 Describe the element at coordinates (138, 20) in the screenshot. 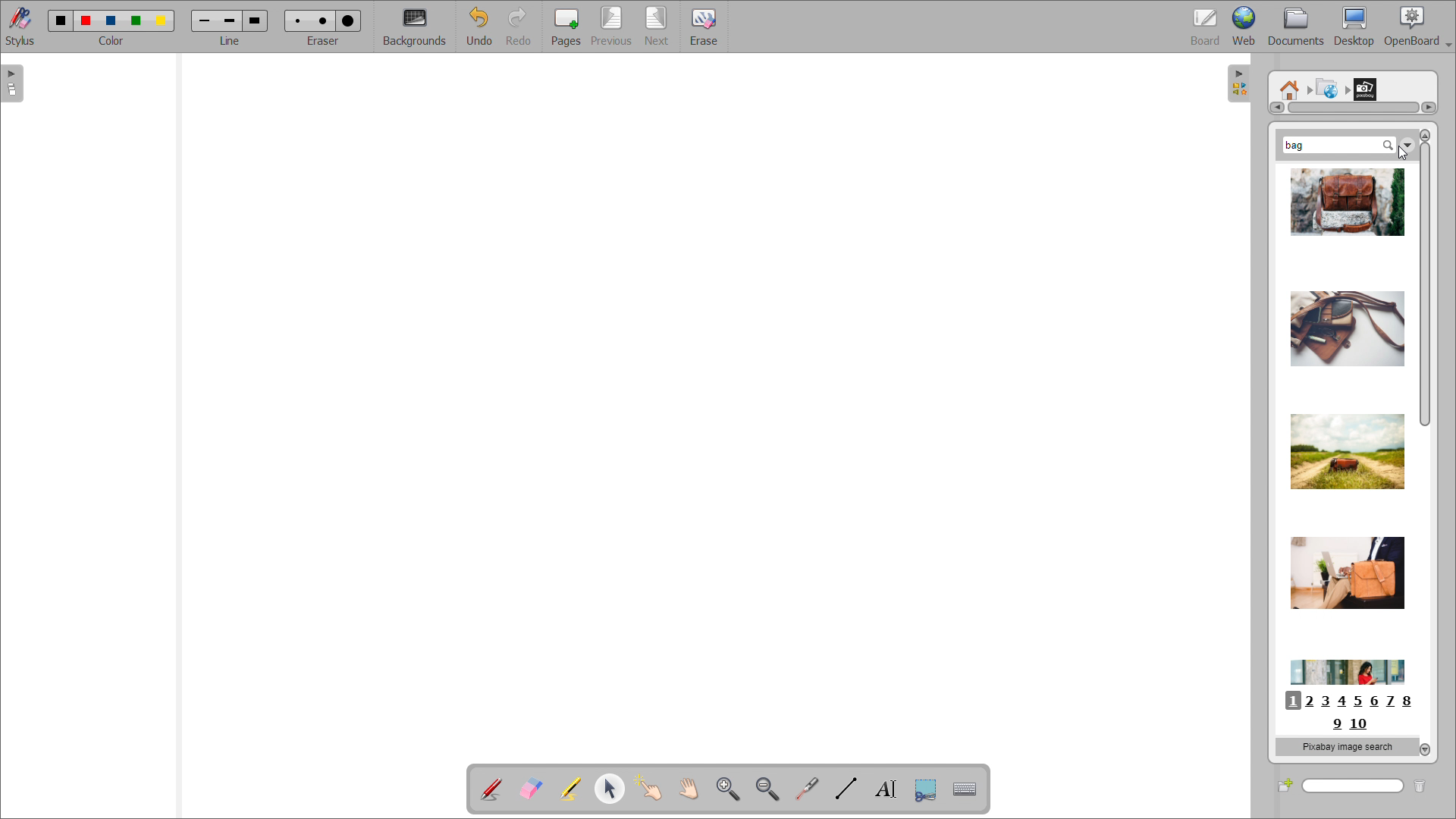

I see `Color 4` at that location.